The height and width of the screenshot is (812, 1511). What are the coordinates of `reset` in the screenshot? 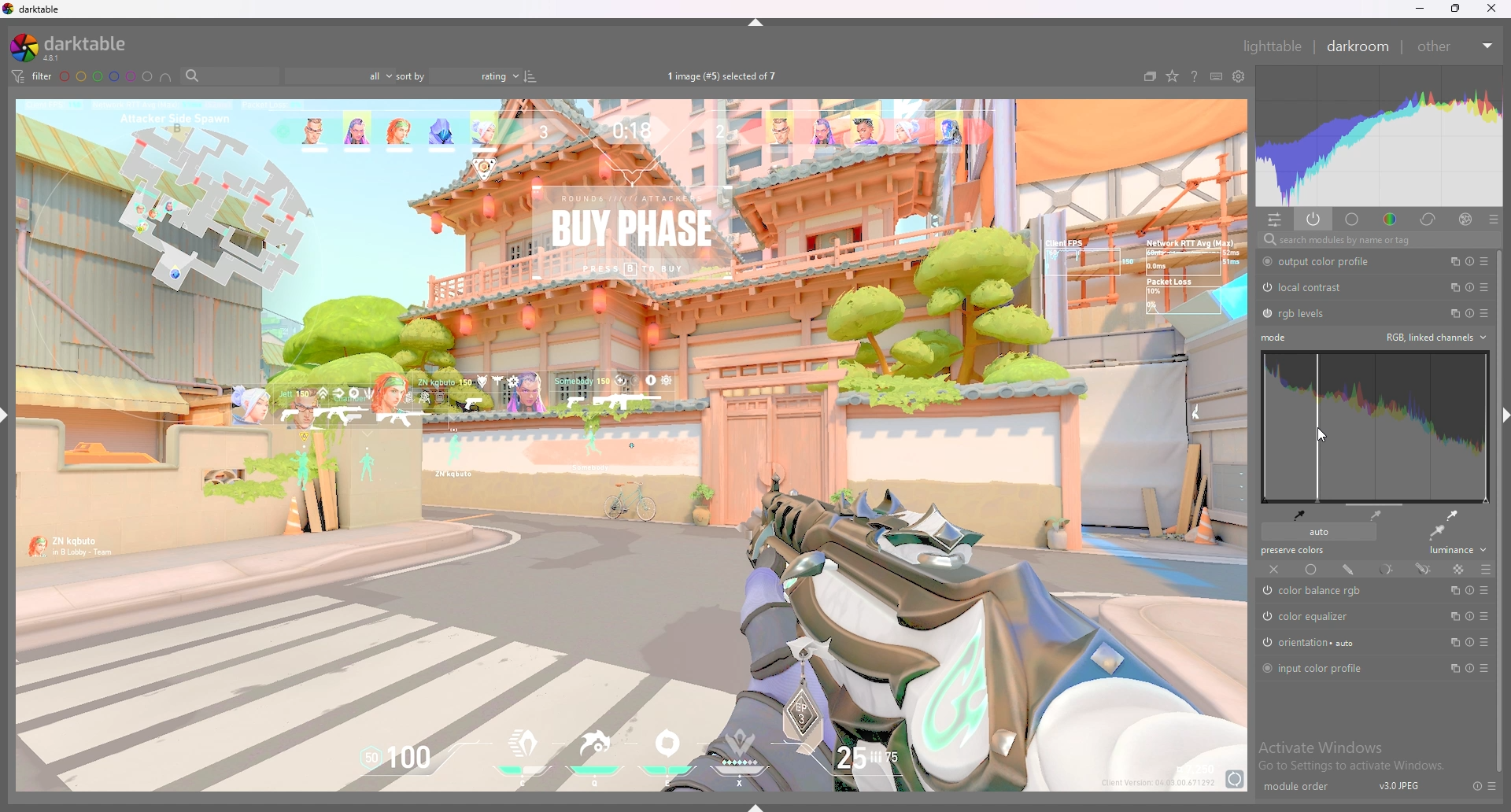 It's located at (1470, 670).